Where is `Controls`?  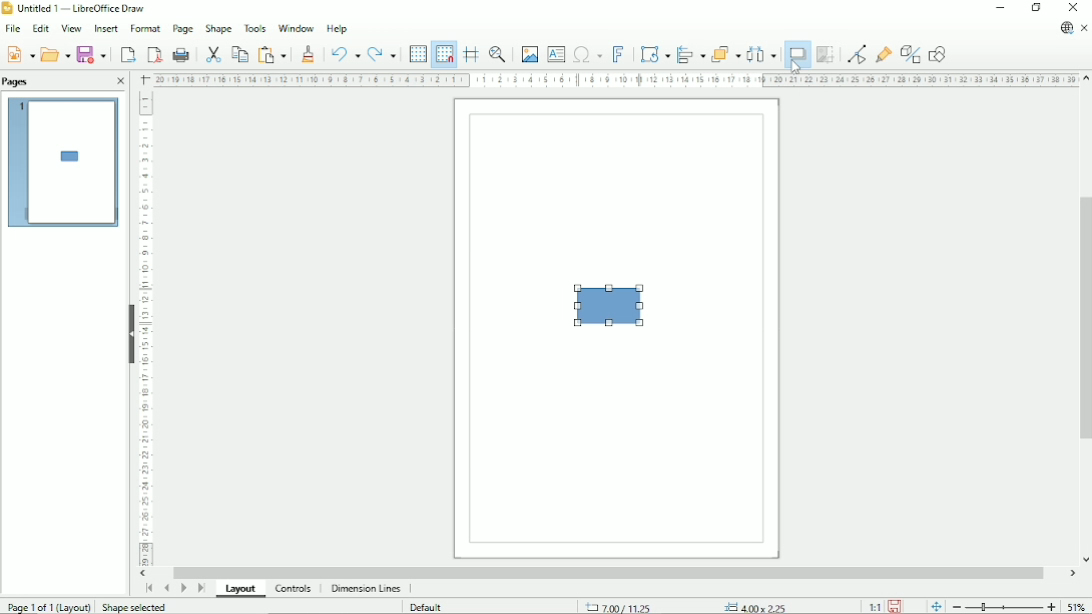 Controls is located at coordinates (293, 589).